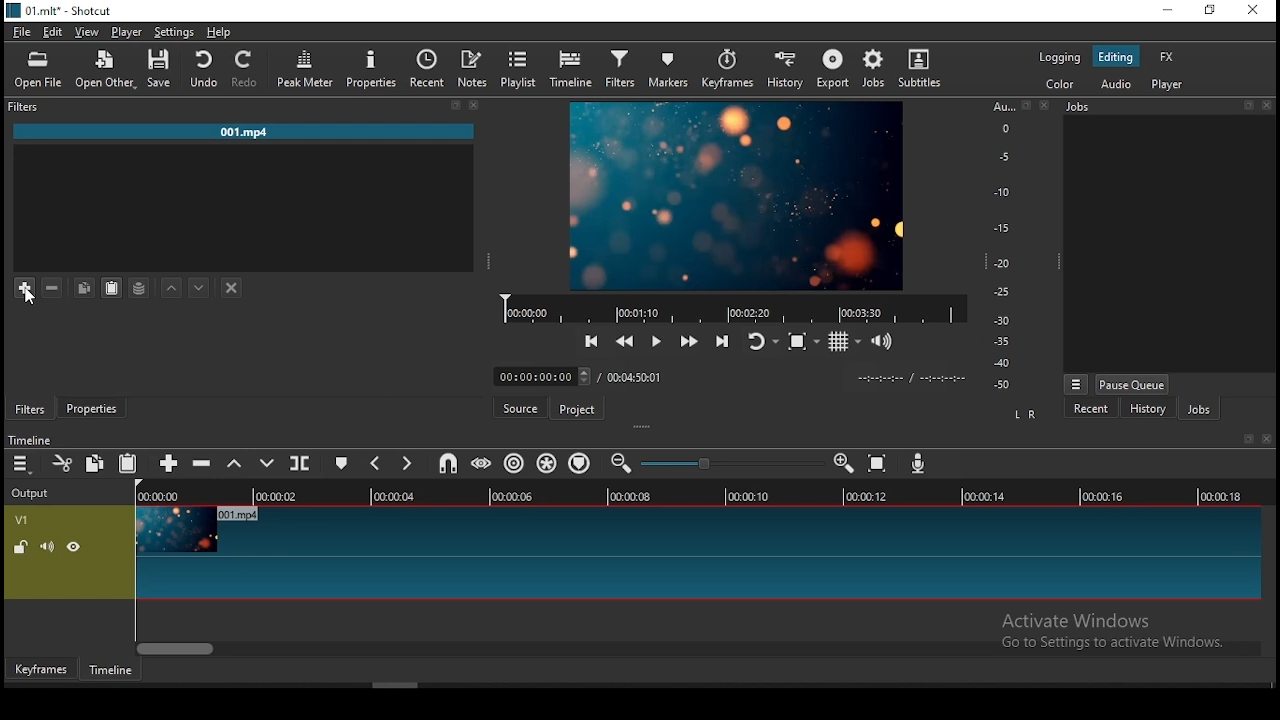 The height and width of the screenshot is (720, 1280). I want to click on zoom timeline out, so click(625, 464).